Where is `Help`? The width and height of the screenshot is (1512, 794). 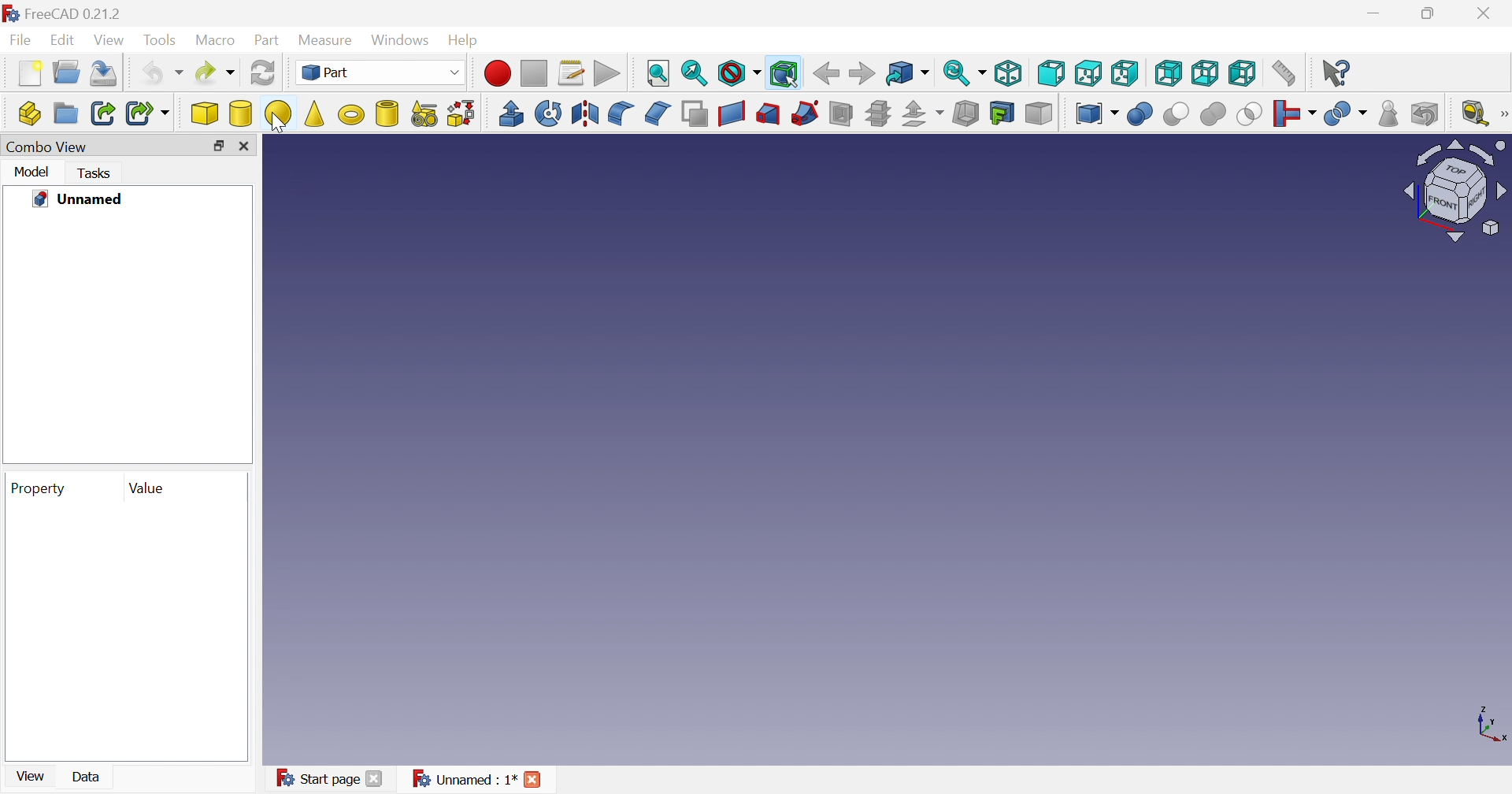
Help is located at coordinates (462, 40).